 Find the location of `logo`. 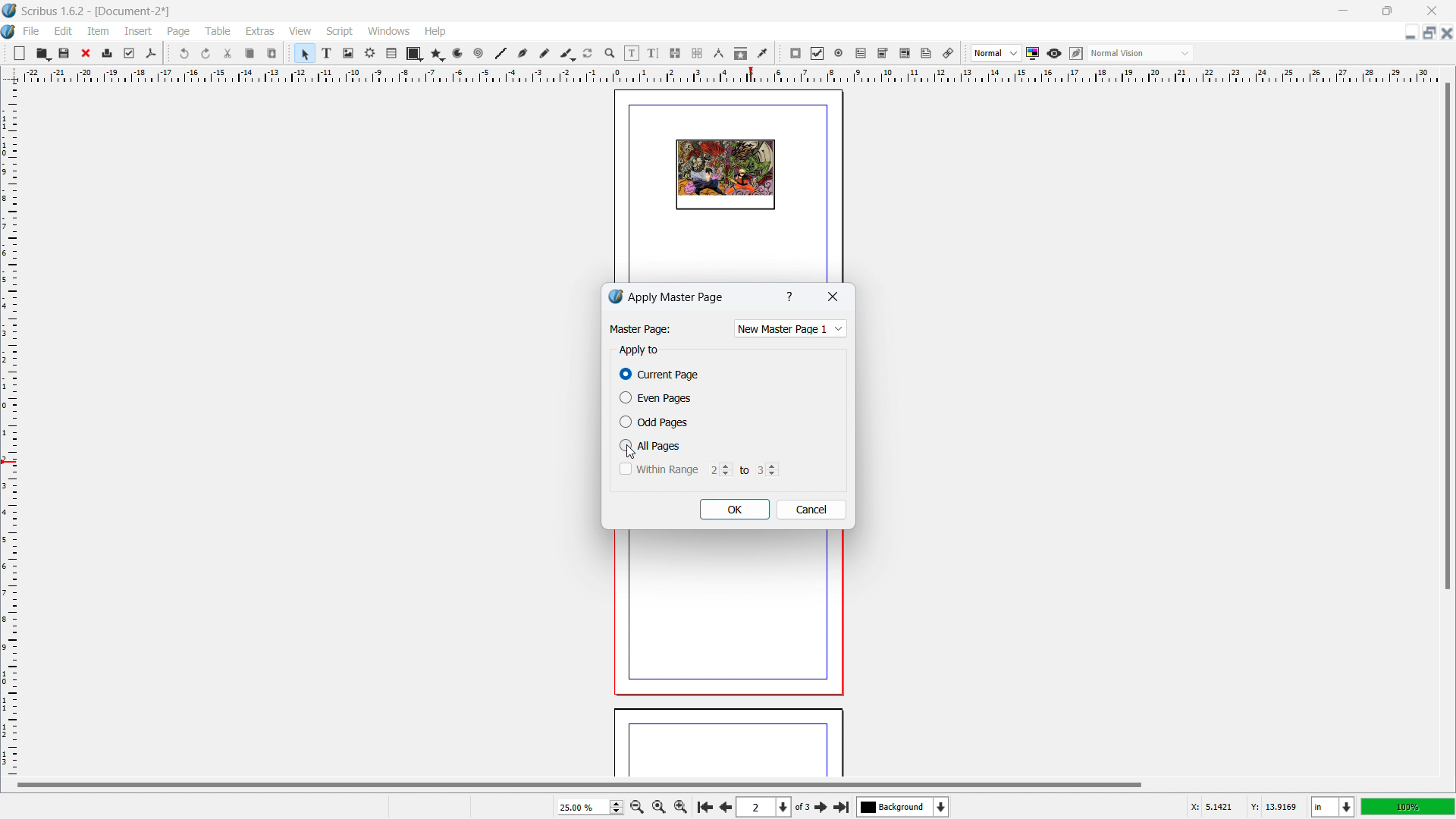

logo is located at coordinates (615, 297).